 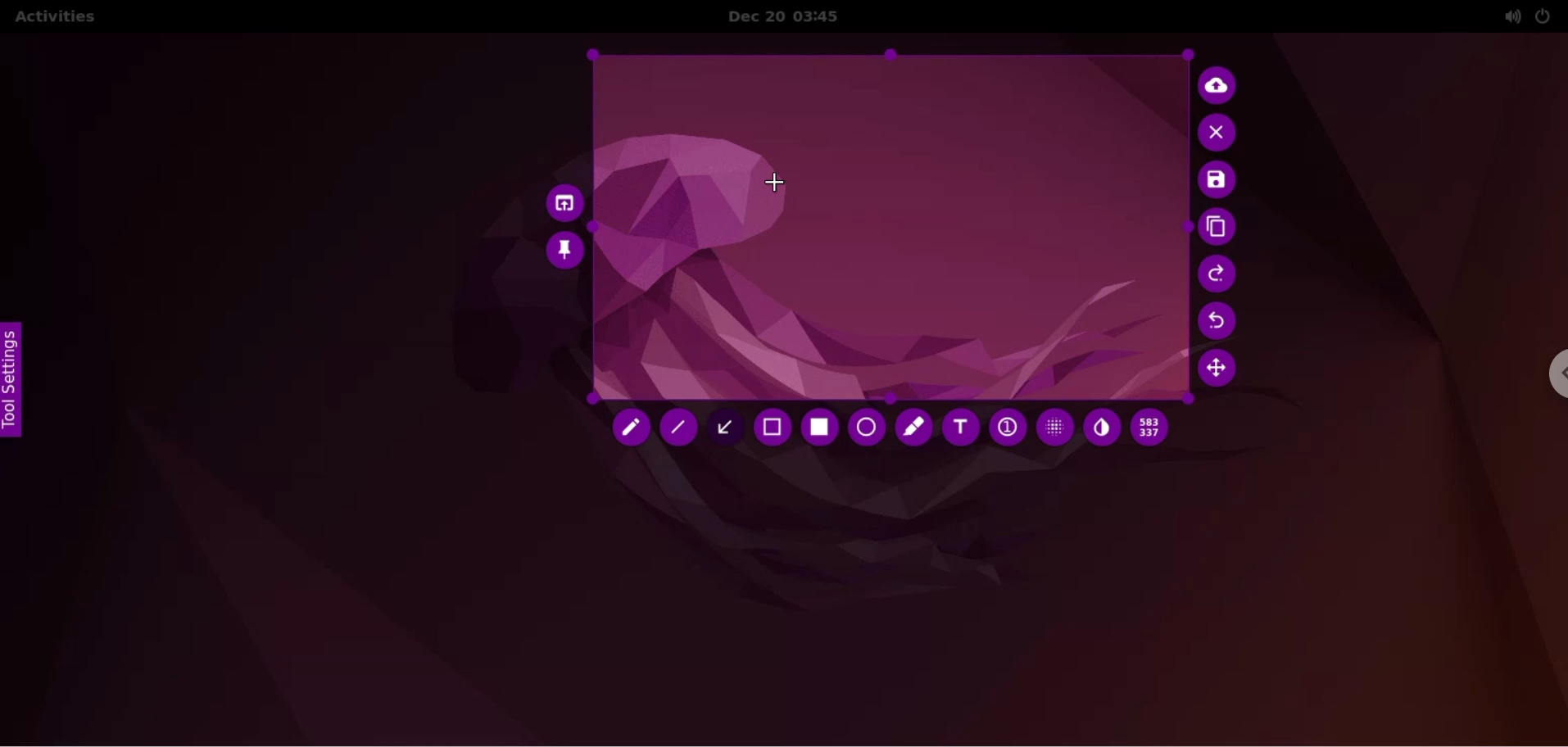 What do you see at coordinates (1050, 427) in the screenshot?
I see `pixellate tool` at bounding box center [1050, 427].